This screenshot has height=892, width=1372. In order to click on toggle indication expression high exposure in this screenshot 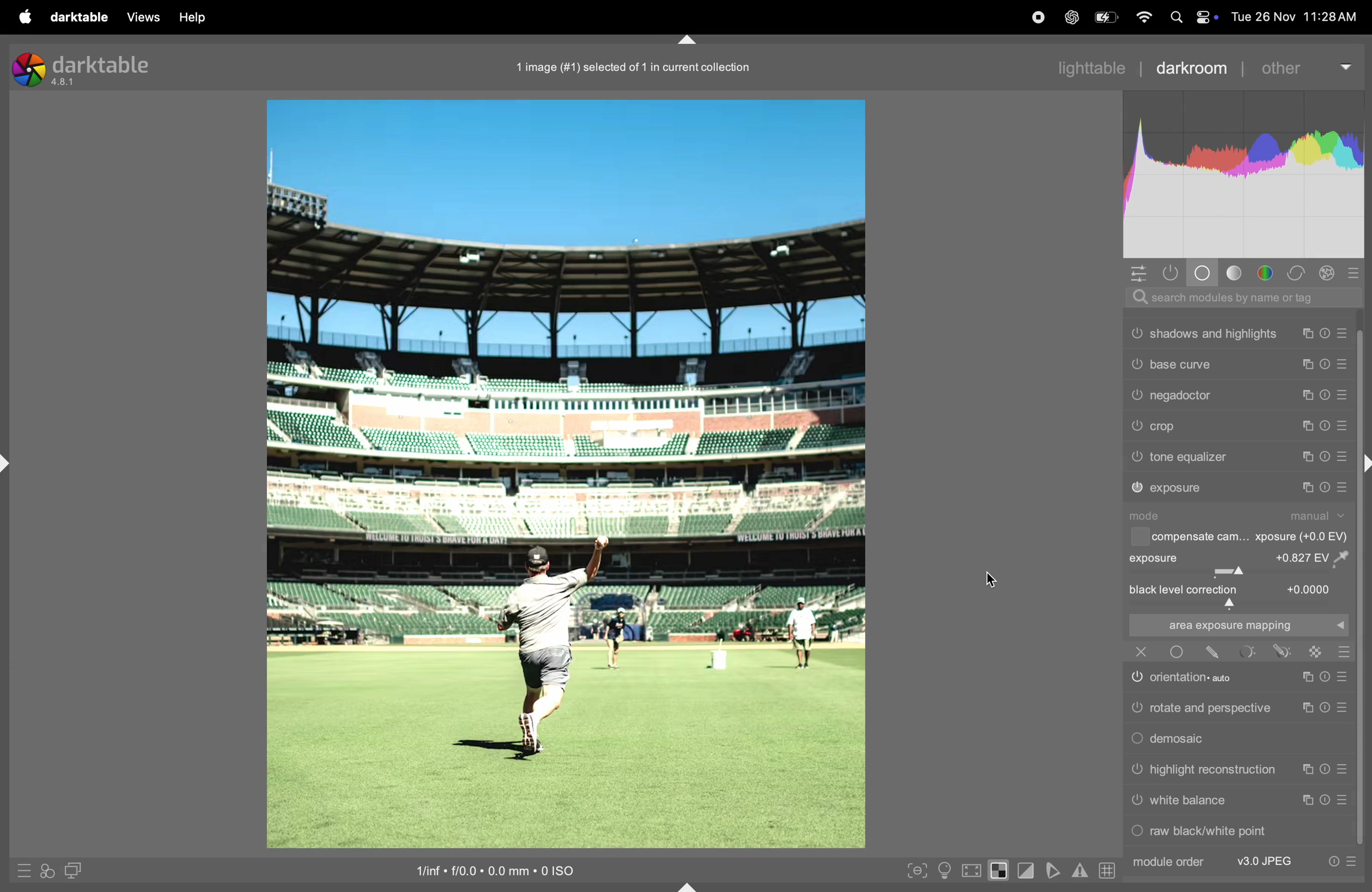, I will do `click(1000, 870)`.